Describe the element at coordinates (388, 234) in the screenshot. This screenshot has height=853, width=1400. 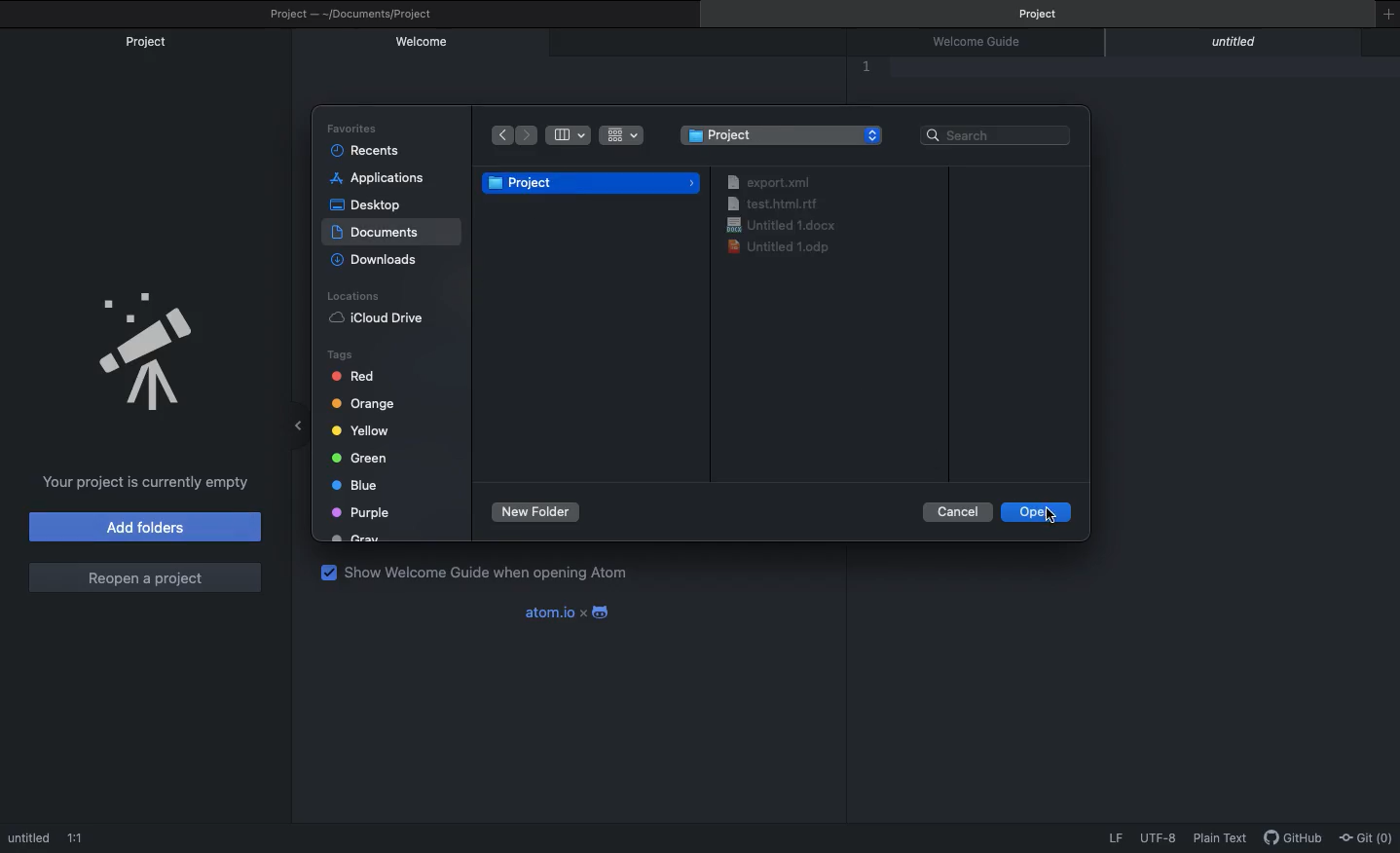
I see `Selected` at that location.